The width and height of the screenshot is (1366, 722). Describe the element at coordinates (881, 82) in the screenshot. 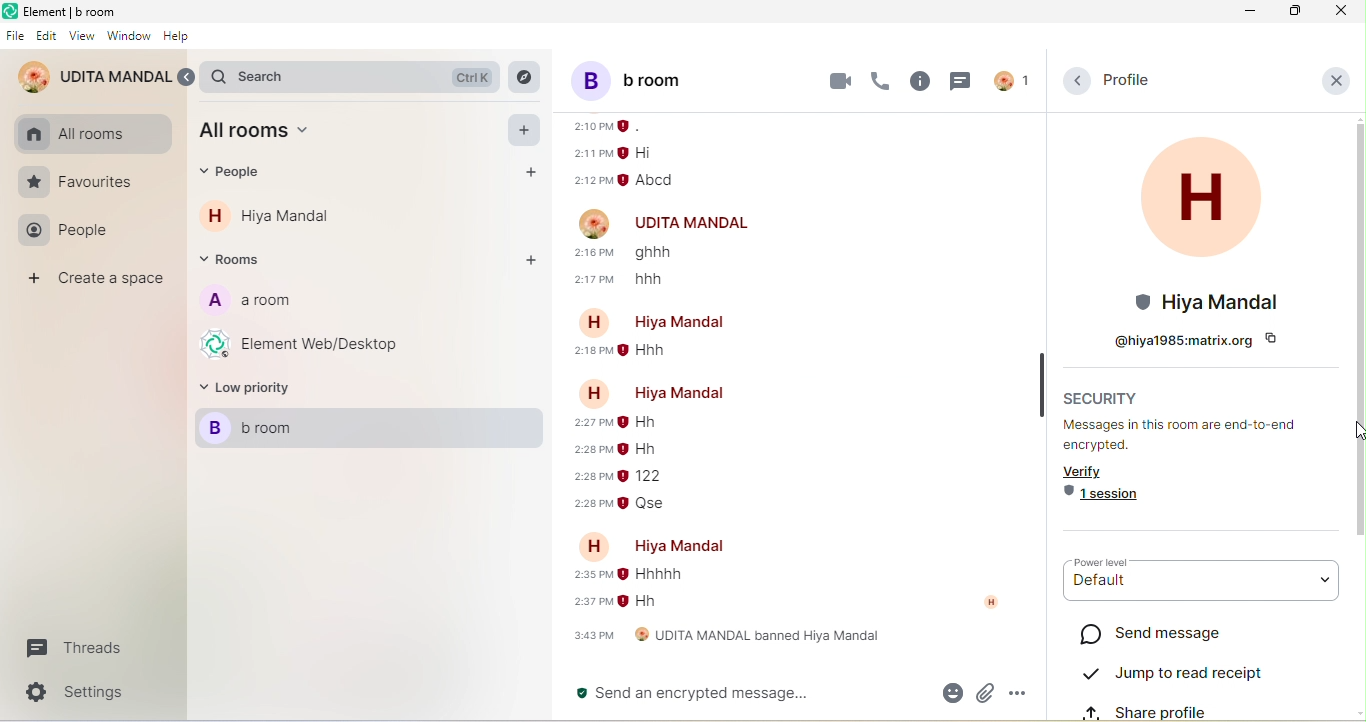

I see `voice call` at that location.